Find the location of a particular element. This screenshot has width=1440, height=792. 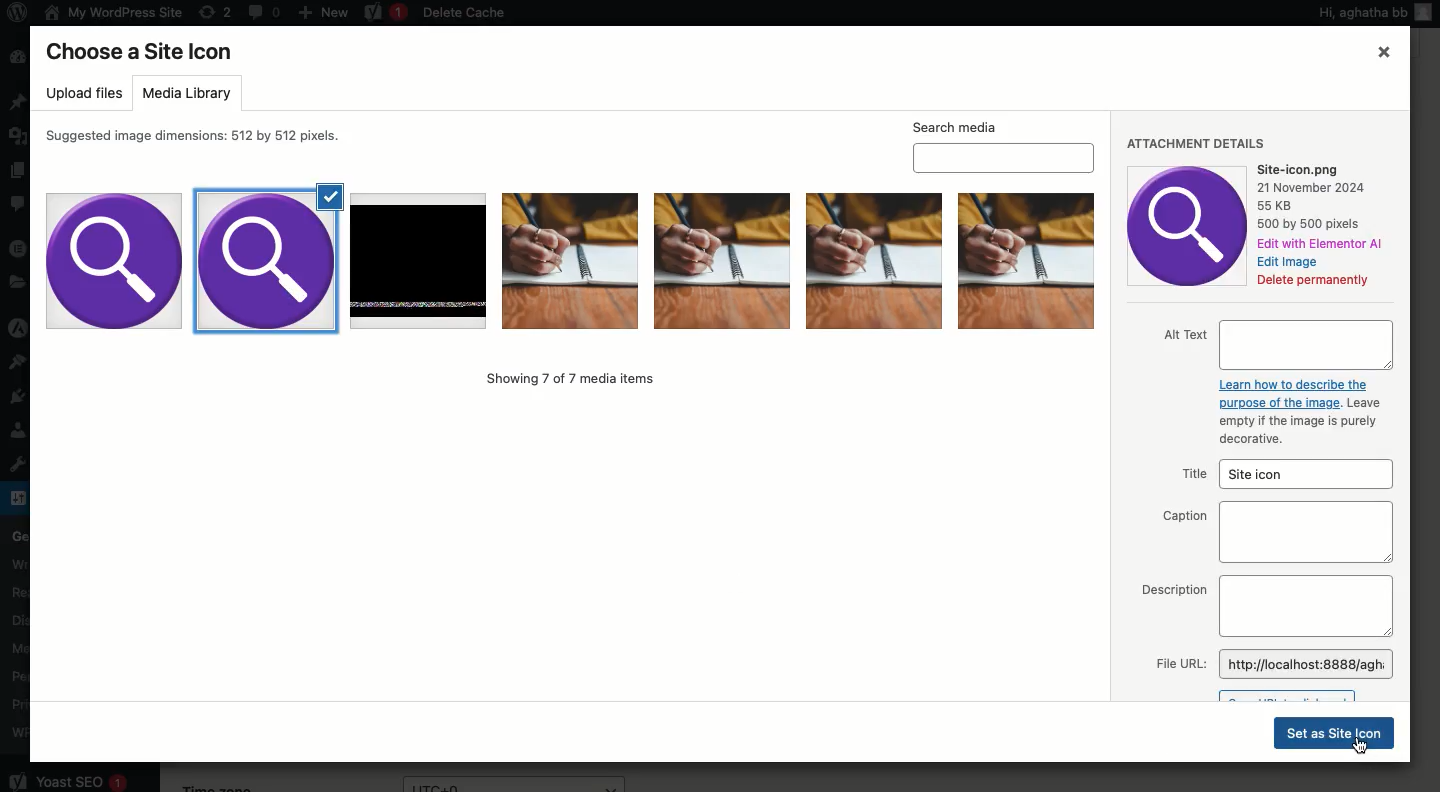

New is located at coordinates (323, 11).